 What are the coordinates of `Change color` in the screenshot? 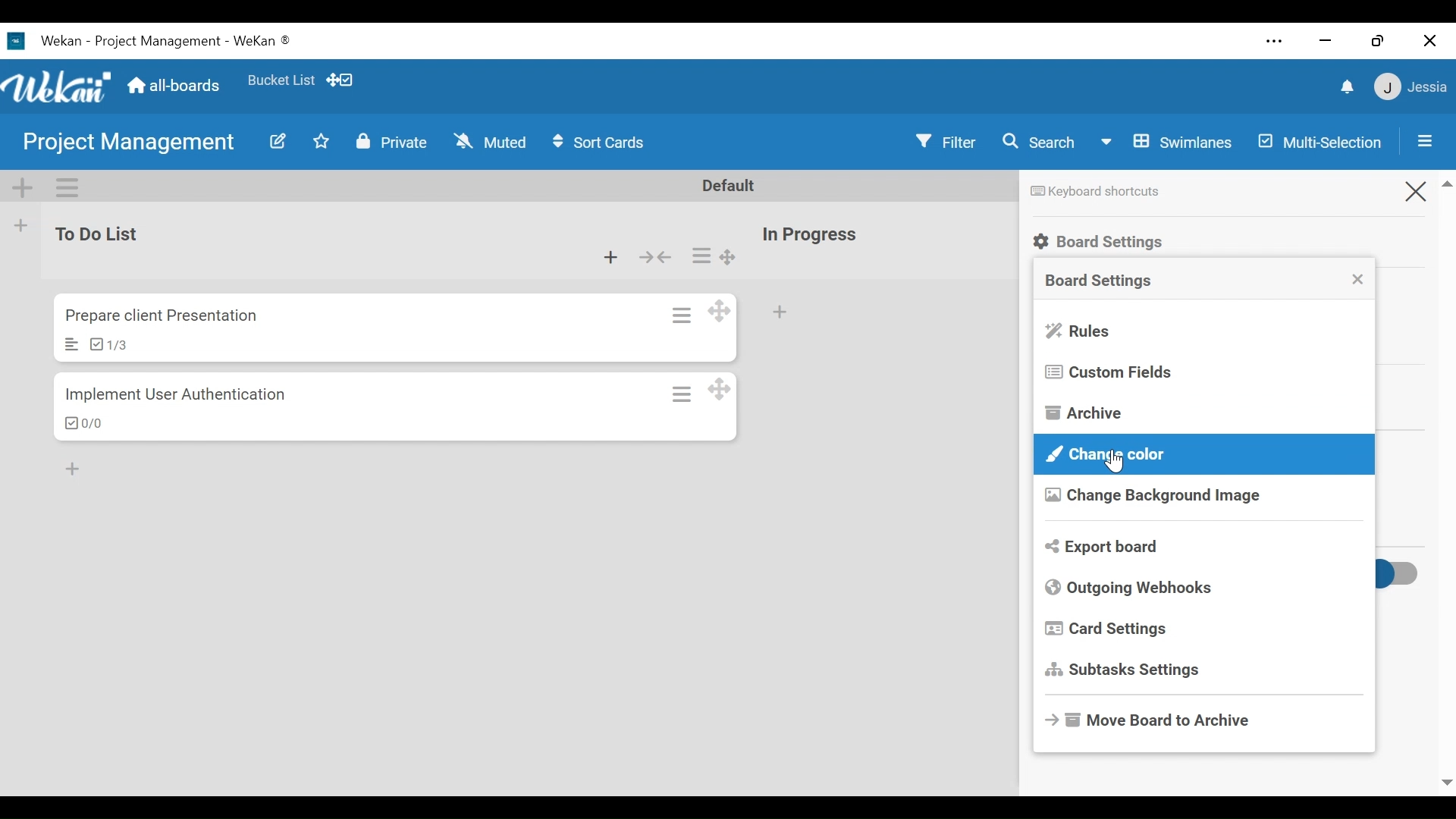 It's located at (1203, 454).